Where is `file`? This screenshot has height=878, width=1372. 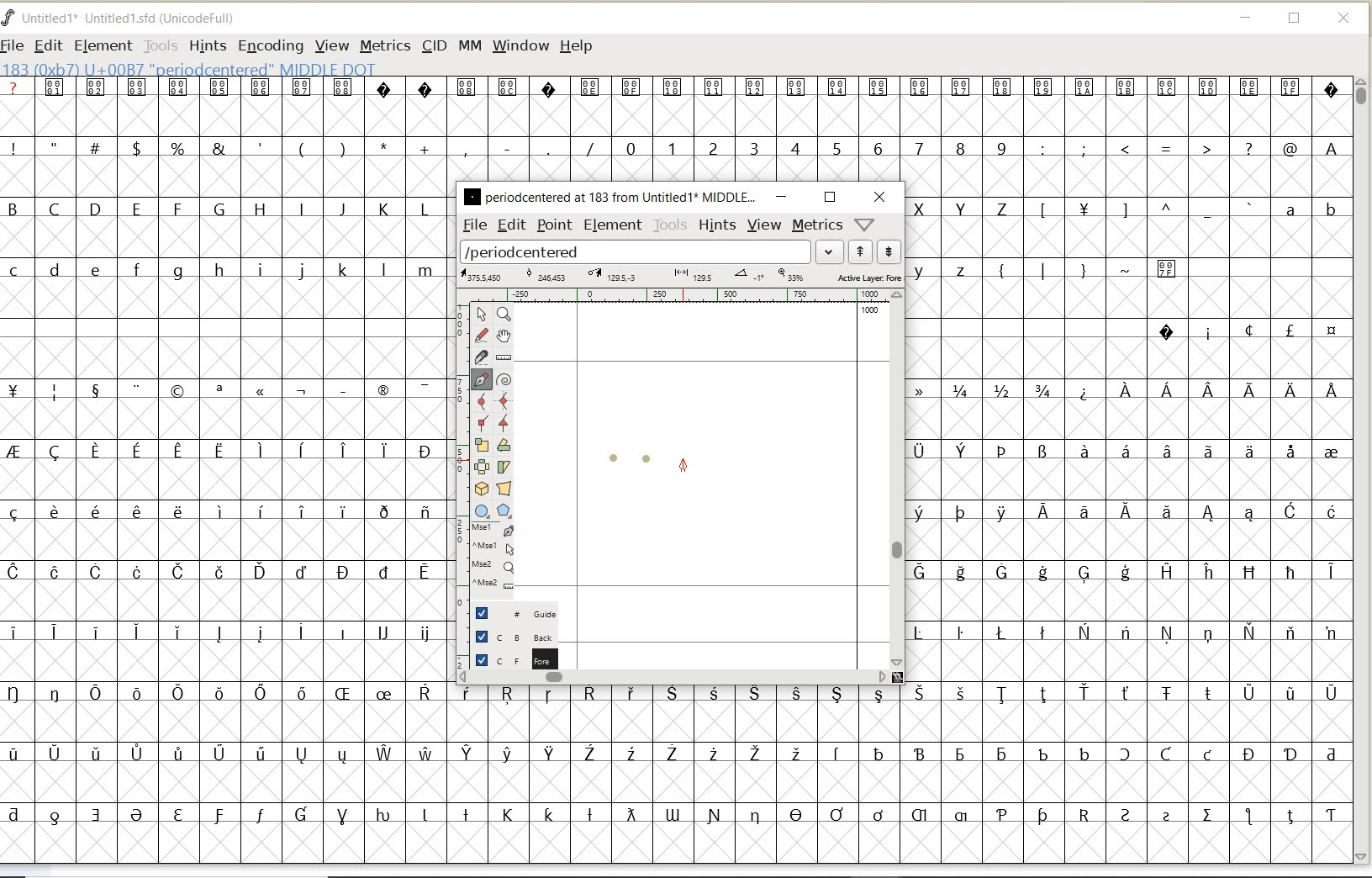
file is located at coordinates (472, 225).